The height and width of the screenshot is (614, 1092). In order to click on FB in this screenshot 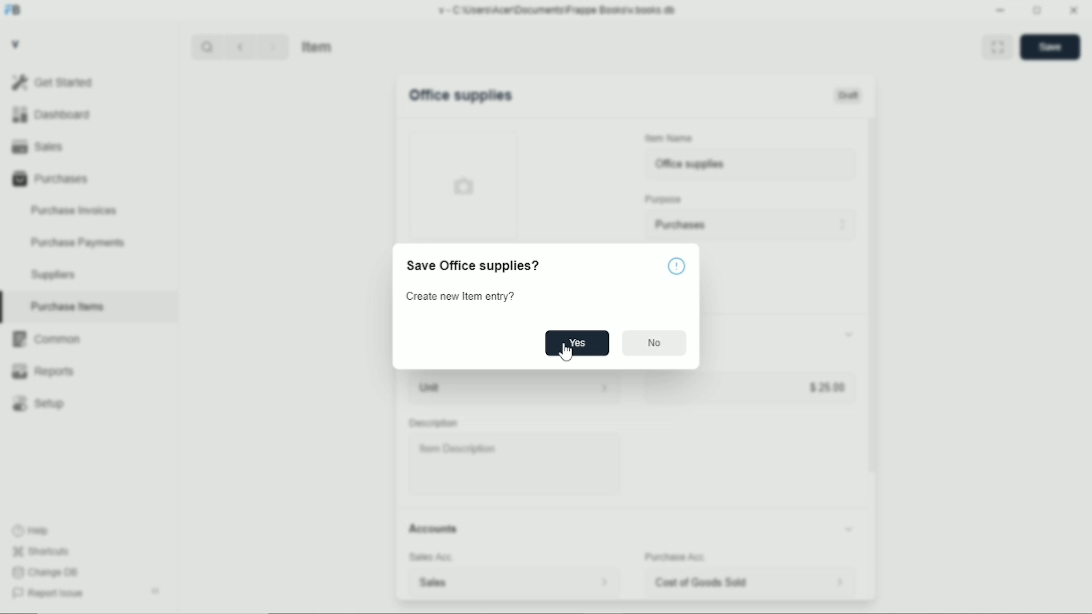, I will do `click(14, 11)`.